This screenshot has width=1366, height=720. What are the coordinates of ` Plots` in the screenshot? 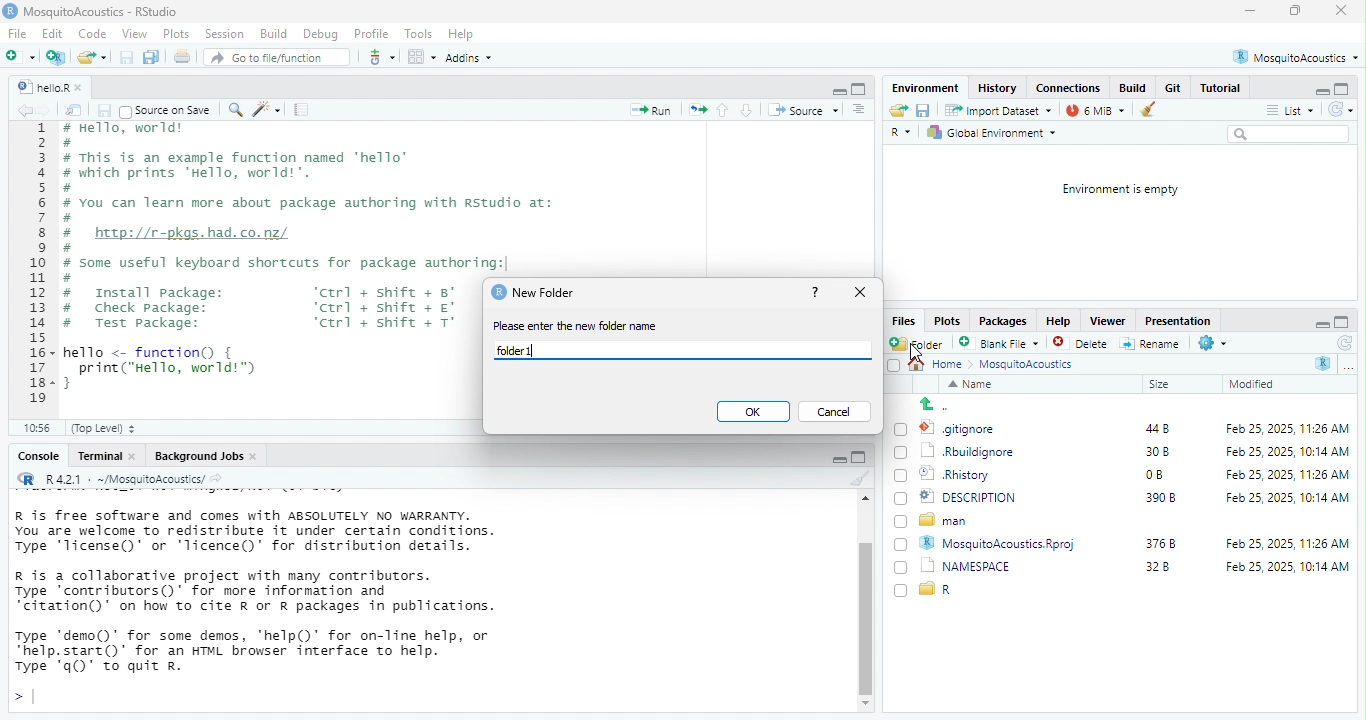 It's located at (948, 321).